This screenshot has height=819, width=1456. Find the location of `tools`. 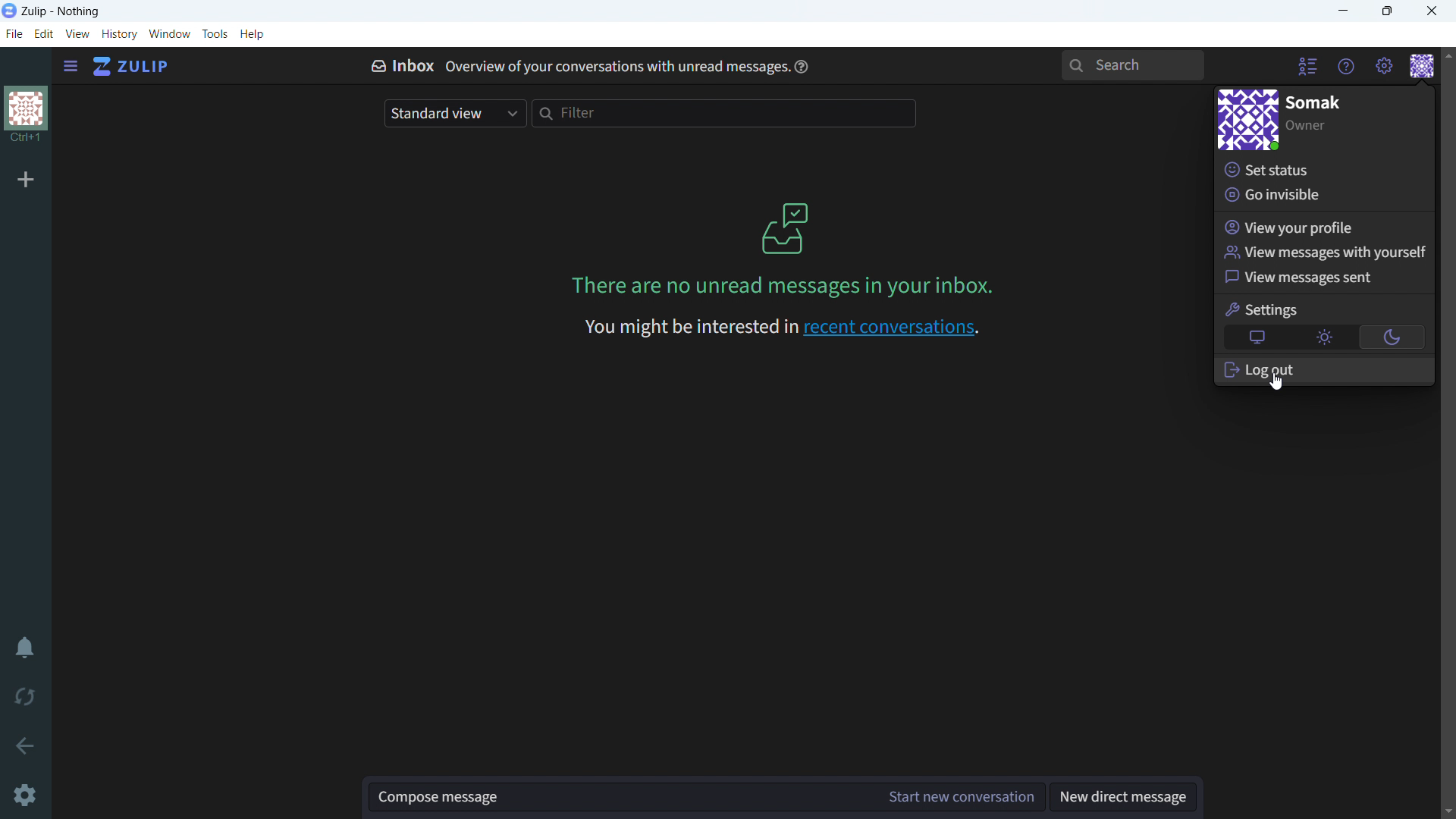

tools is located at coordinates (215, 33).